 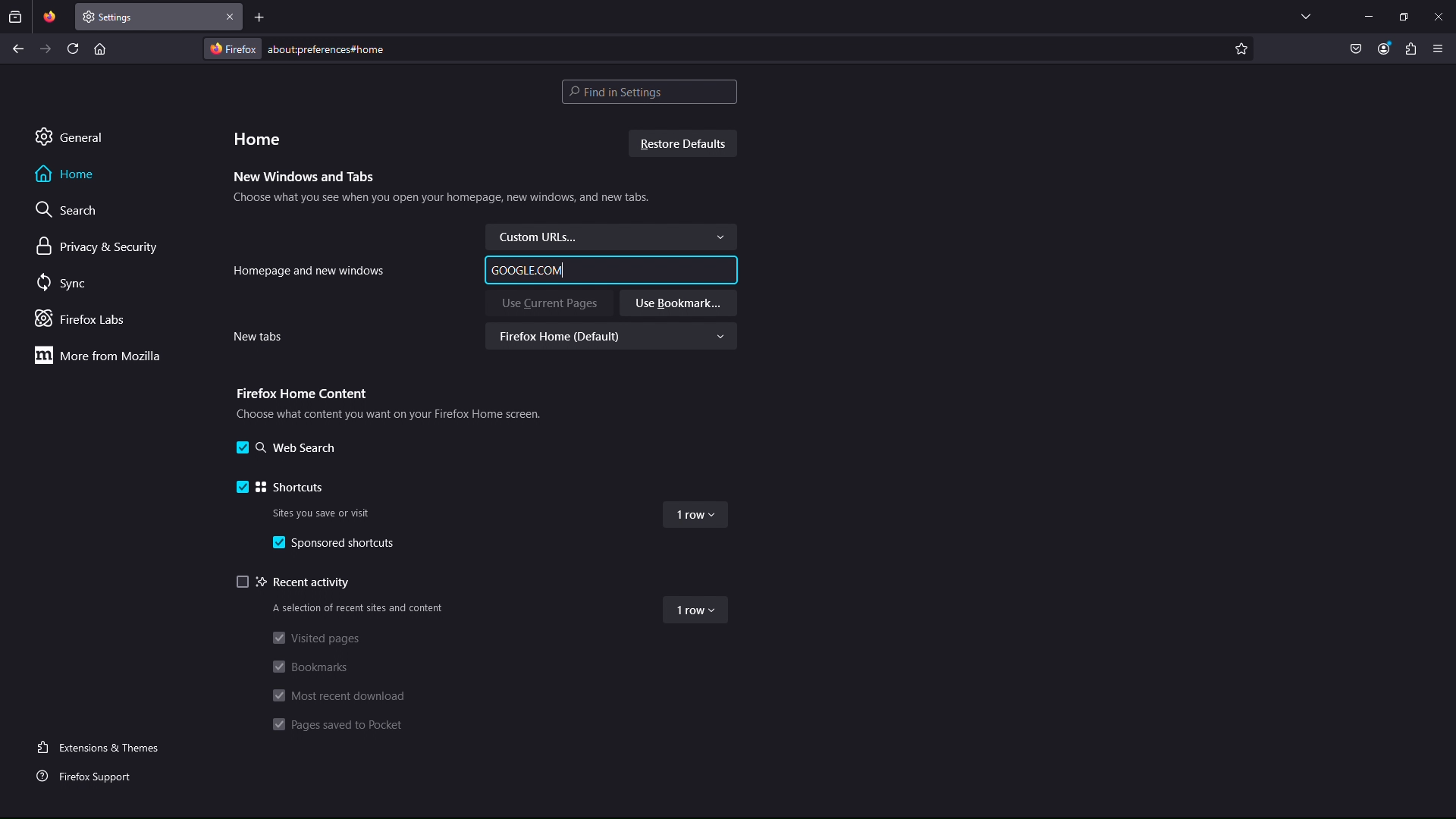 What do you see at coordinates (312, 667) in the screenshot?
I see `Bookmarks` at bounding box center [312, 667].